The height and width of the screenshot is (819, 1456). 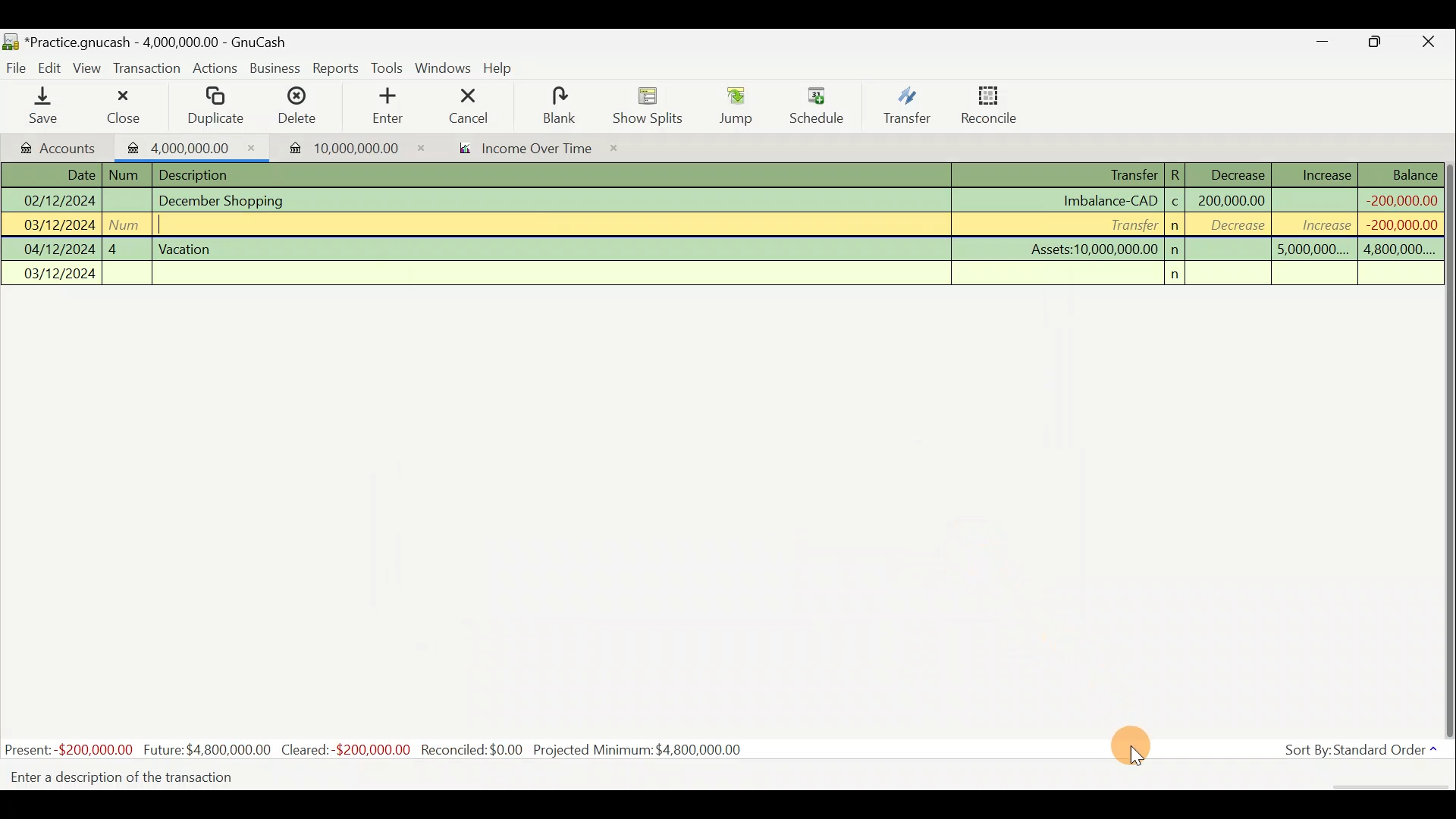 I want to click on 04/12/2024, so click(x=60, y=249).